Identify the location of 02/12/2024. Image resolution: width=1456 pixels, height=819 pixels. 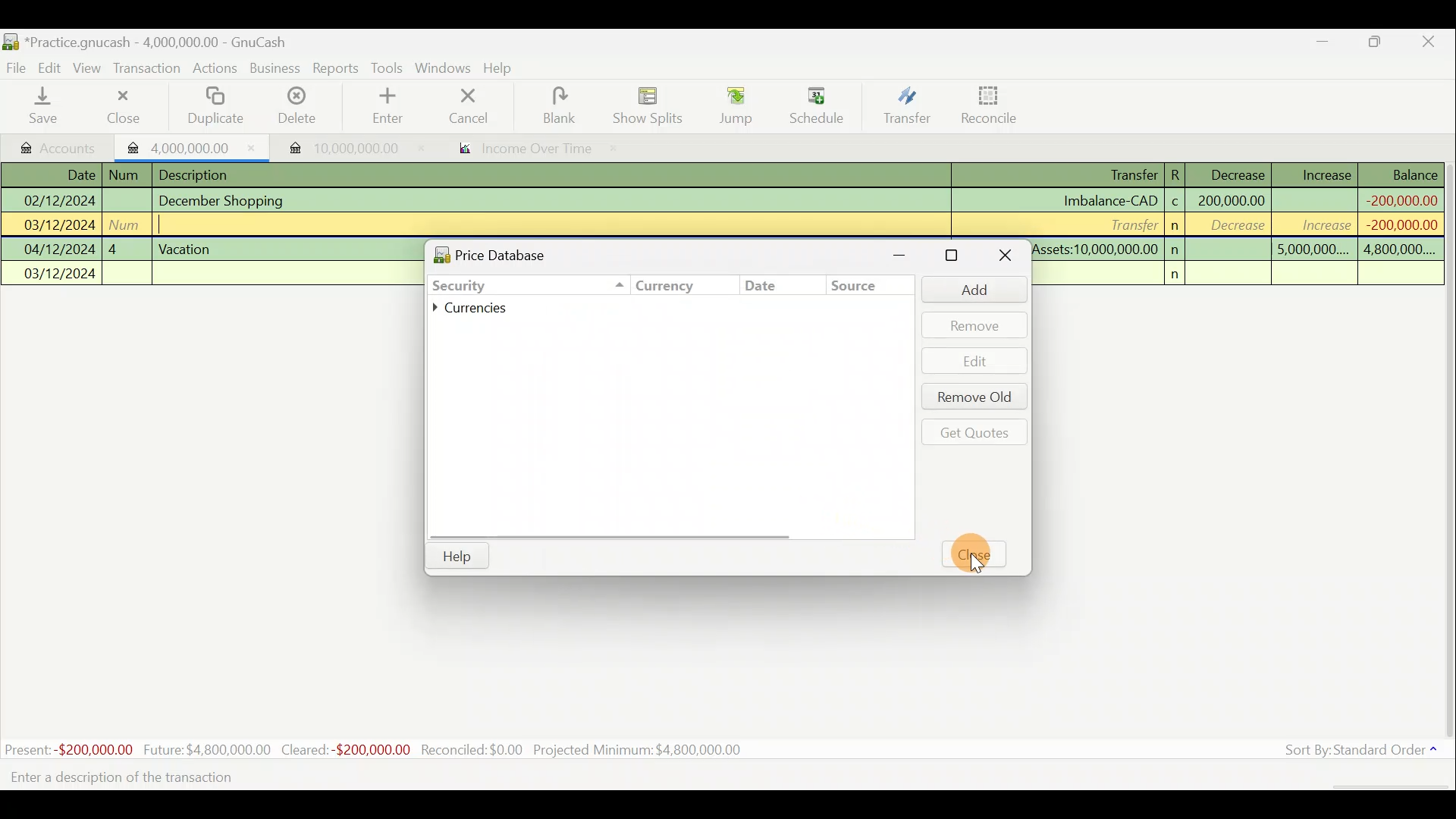
(58, 199).